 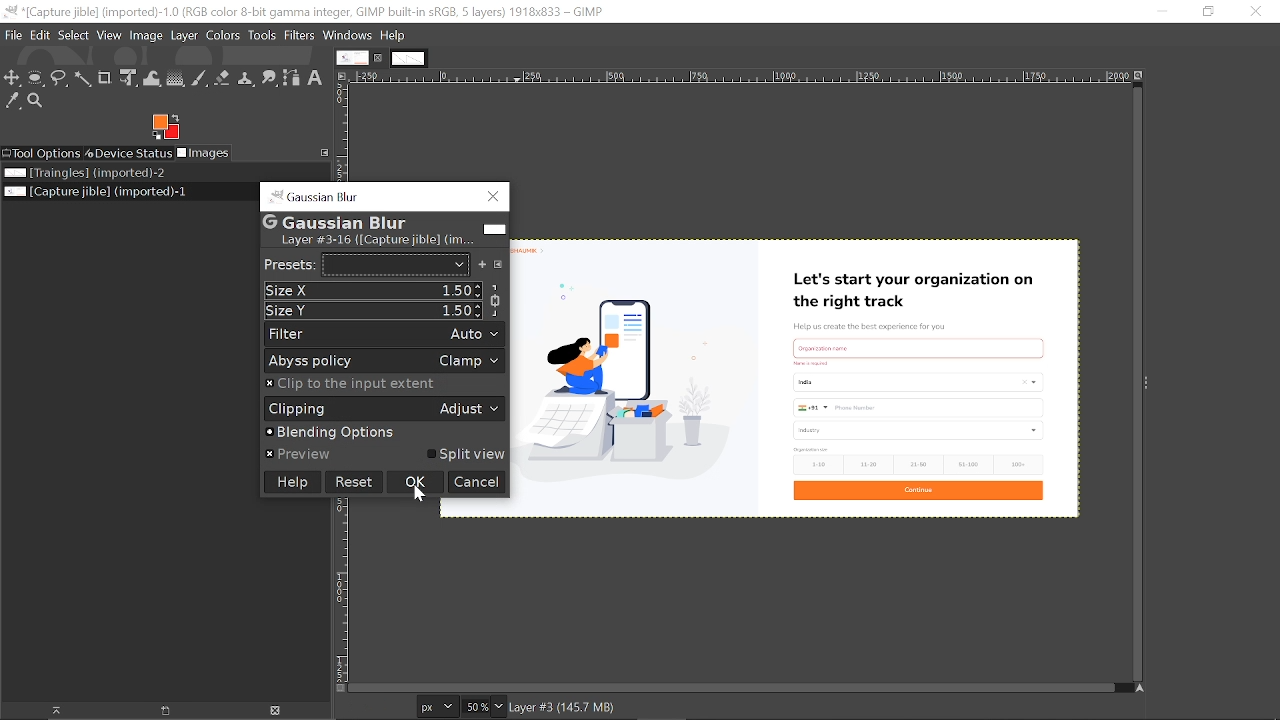 What do you see at coordinates (1139, 75) in the screenshot?
I see `Zoon image when window size changes` at bounding box center [1139, 75].